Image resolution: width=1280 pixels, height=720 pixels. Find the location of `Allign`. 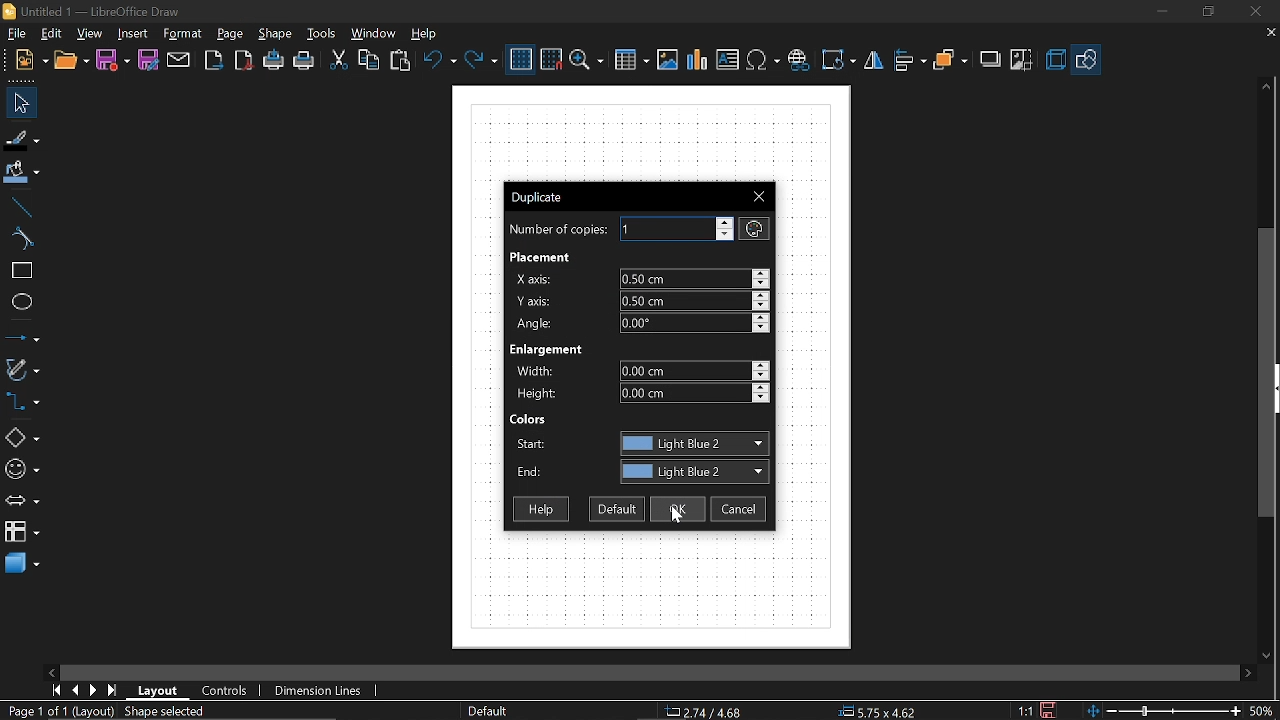

Allign is located at coordinates (910, 61).